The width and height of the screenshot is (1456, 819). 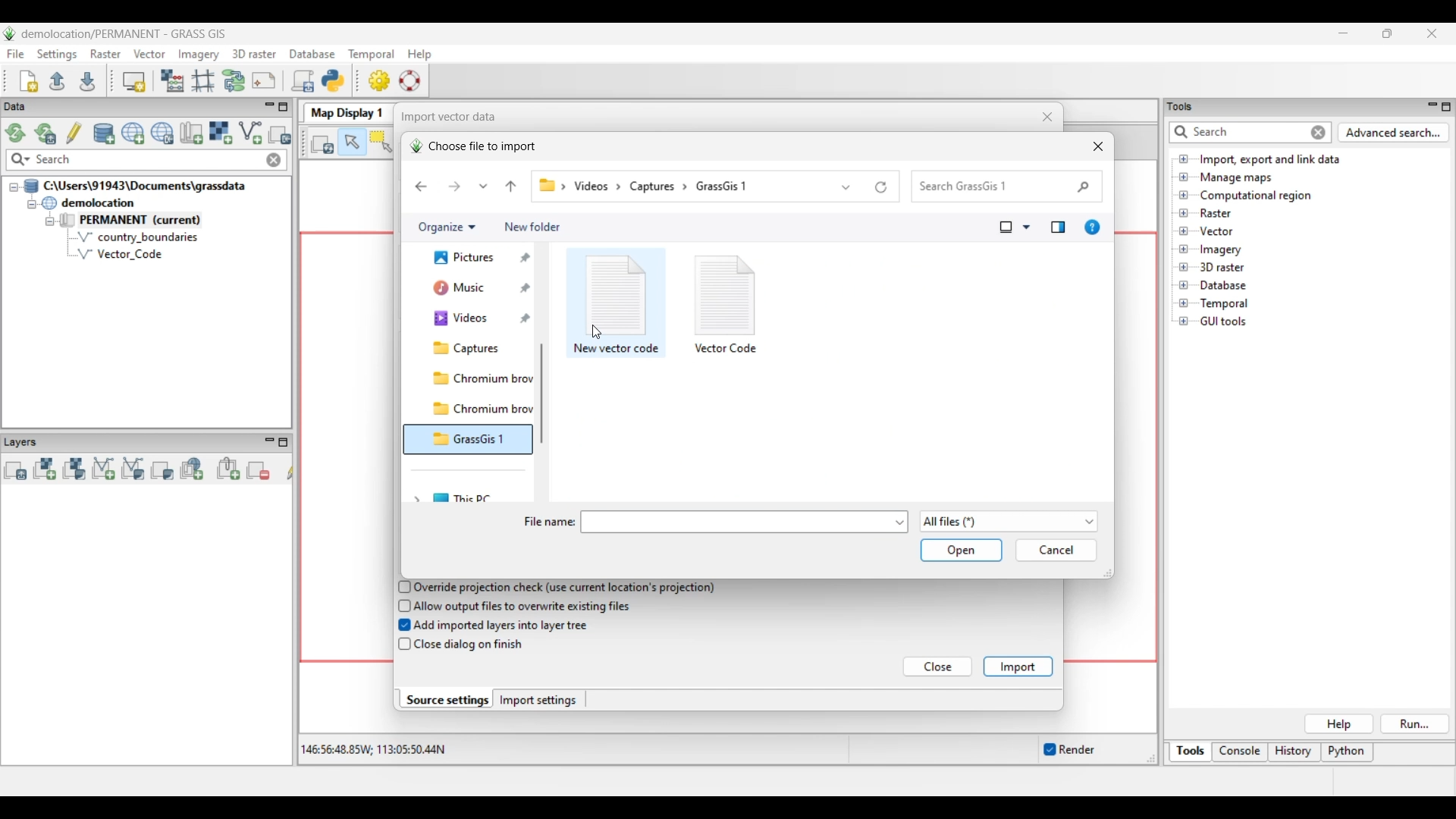 What do you see at coordinates (478, 349) in the screenshot?
I see `Videos folder` at bounding box center [478, 349].